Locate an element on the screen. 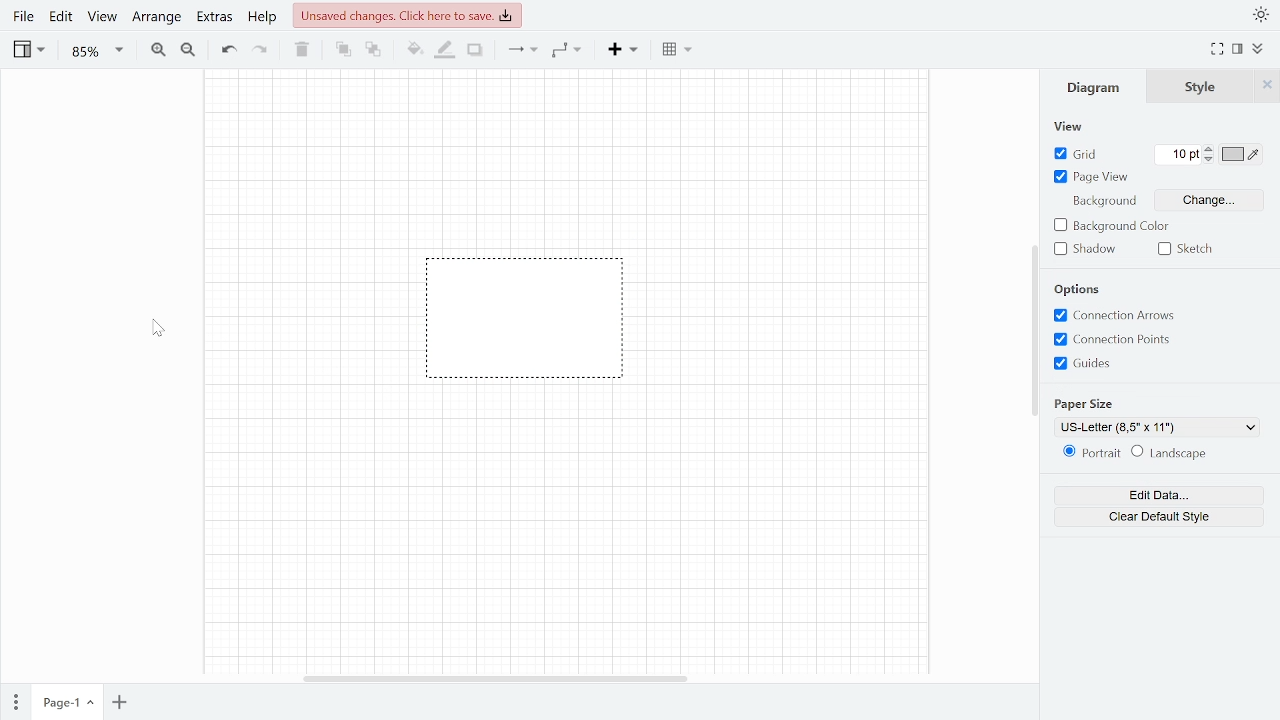 The height and width of the screenshot is (720, 1280). Sketch is located at coordinates (1185, 250).